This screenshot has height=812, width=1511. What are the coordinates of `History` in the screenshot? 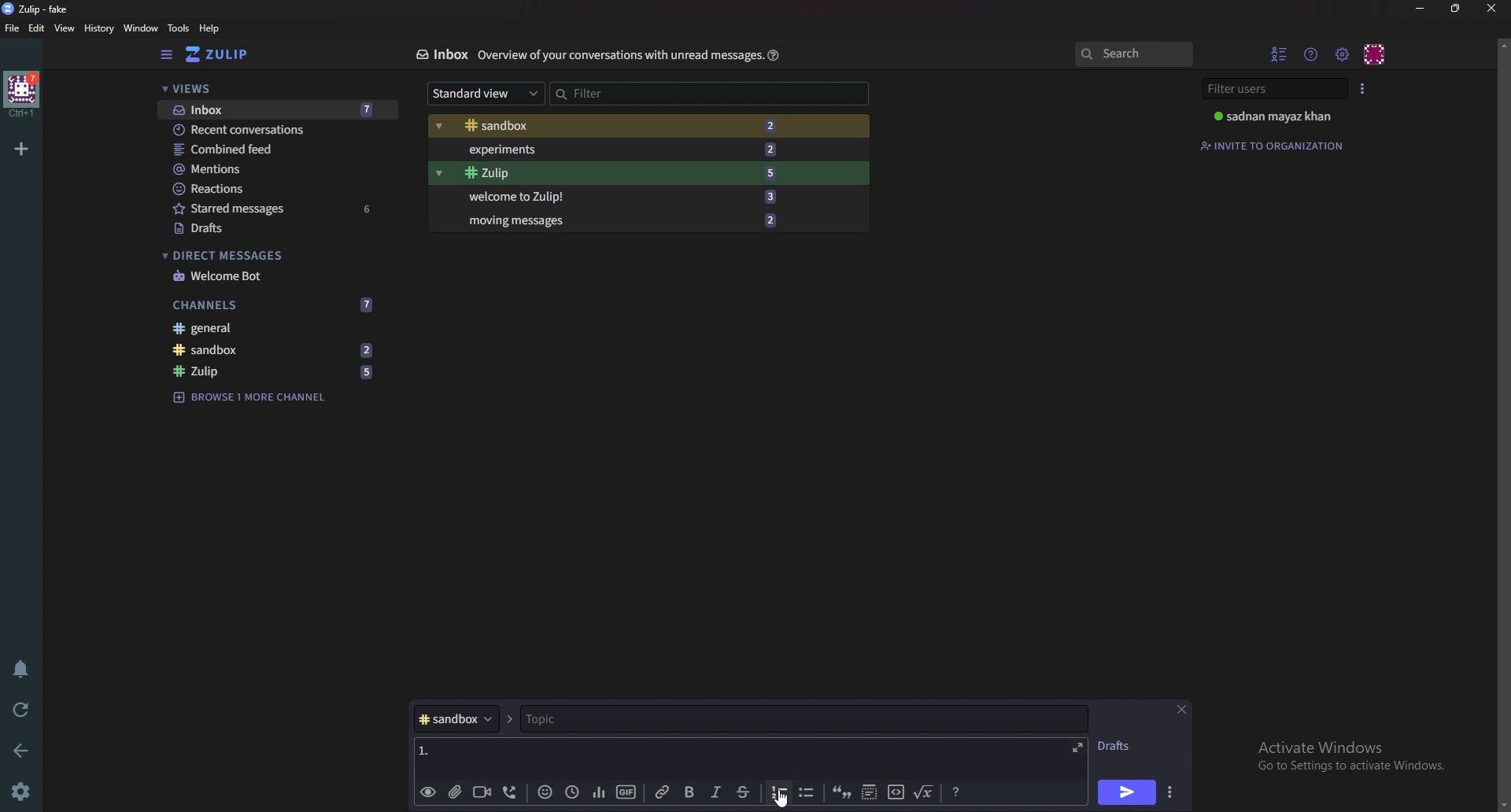 It's located at (98, 28).